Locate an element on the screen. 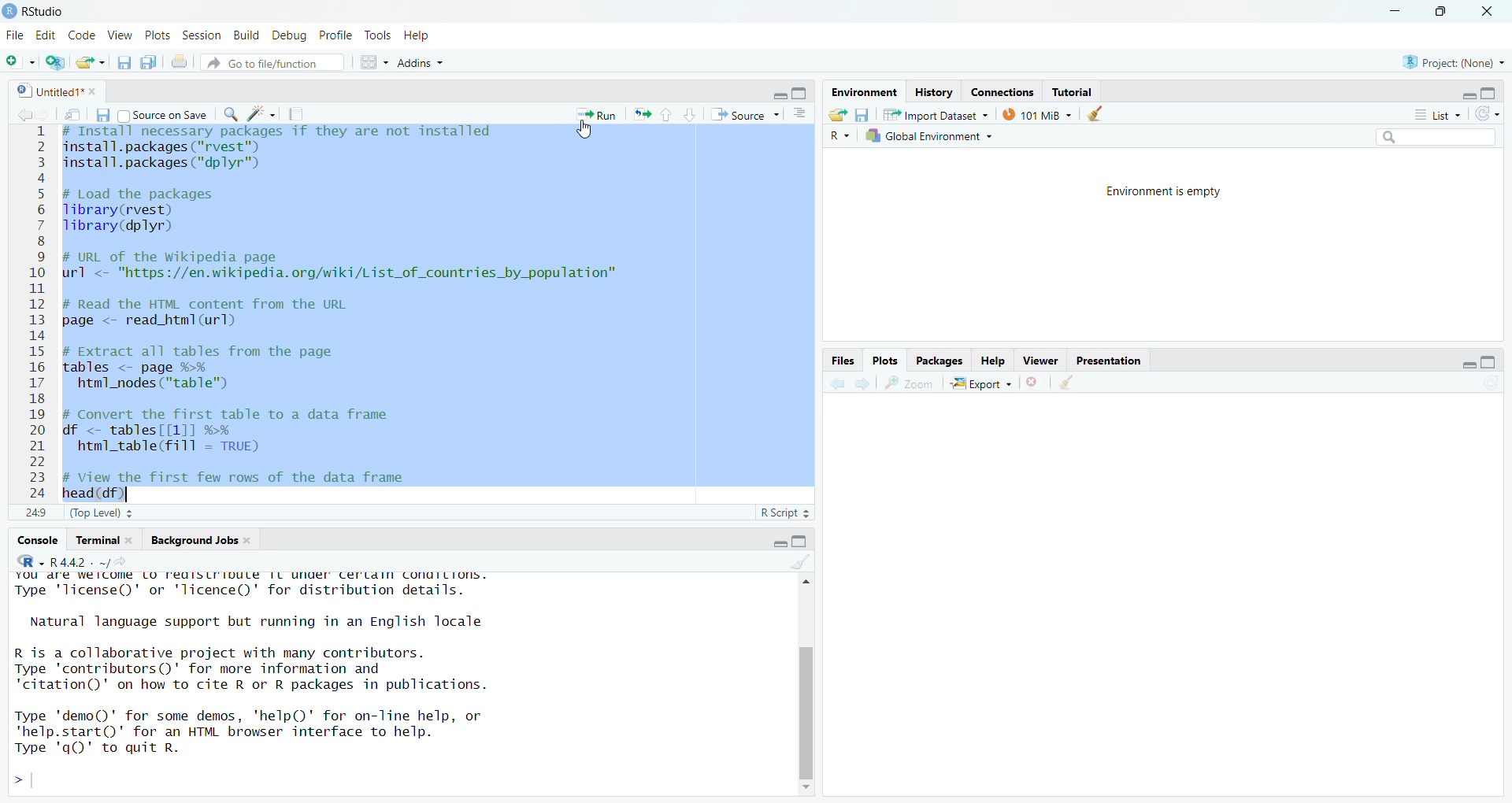  You are welcome to redistribute it under certain conditions Type 'license()' or 'Ticence()' for distribution details. is located at coordinates (259, 587).